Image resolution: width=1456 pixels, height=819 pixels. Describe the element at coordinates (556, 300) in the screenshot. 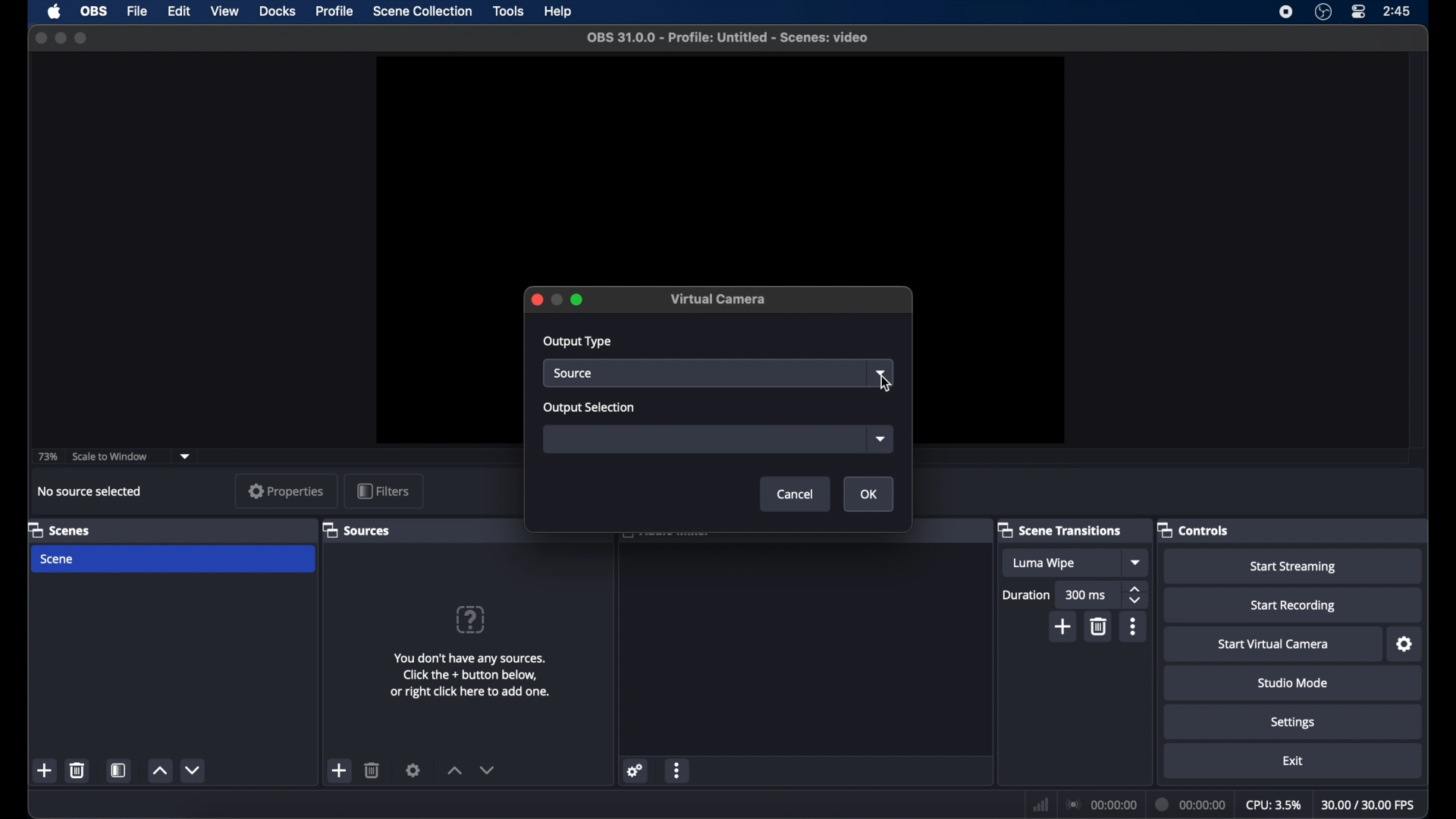

I see `inactive minimize icon` at that location.